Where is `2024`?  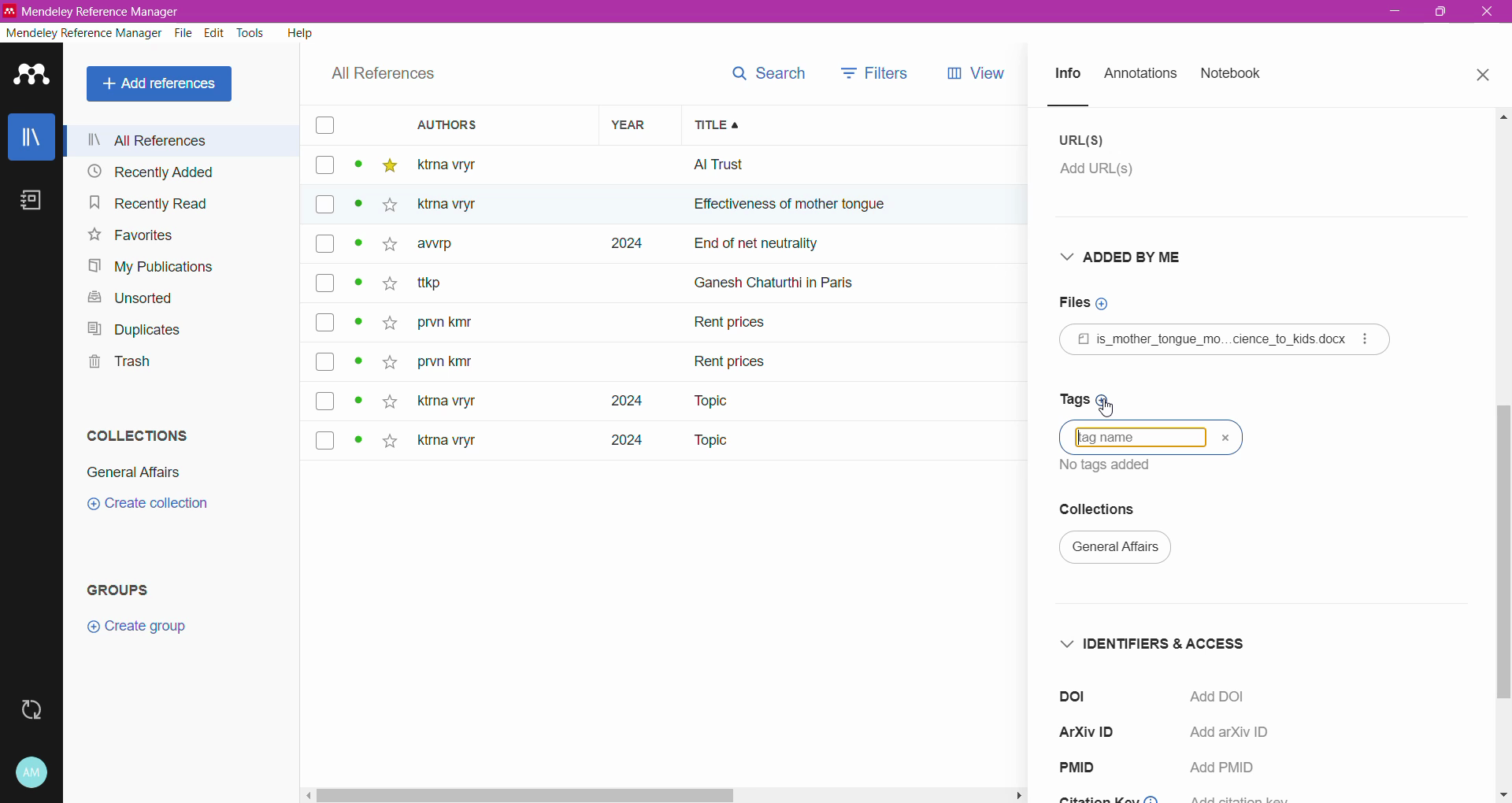 2024 is located at coordinates (623, 244).